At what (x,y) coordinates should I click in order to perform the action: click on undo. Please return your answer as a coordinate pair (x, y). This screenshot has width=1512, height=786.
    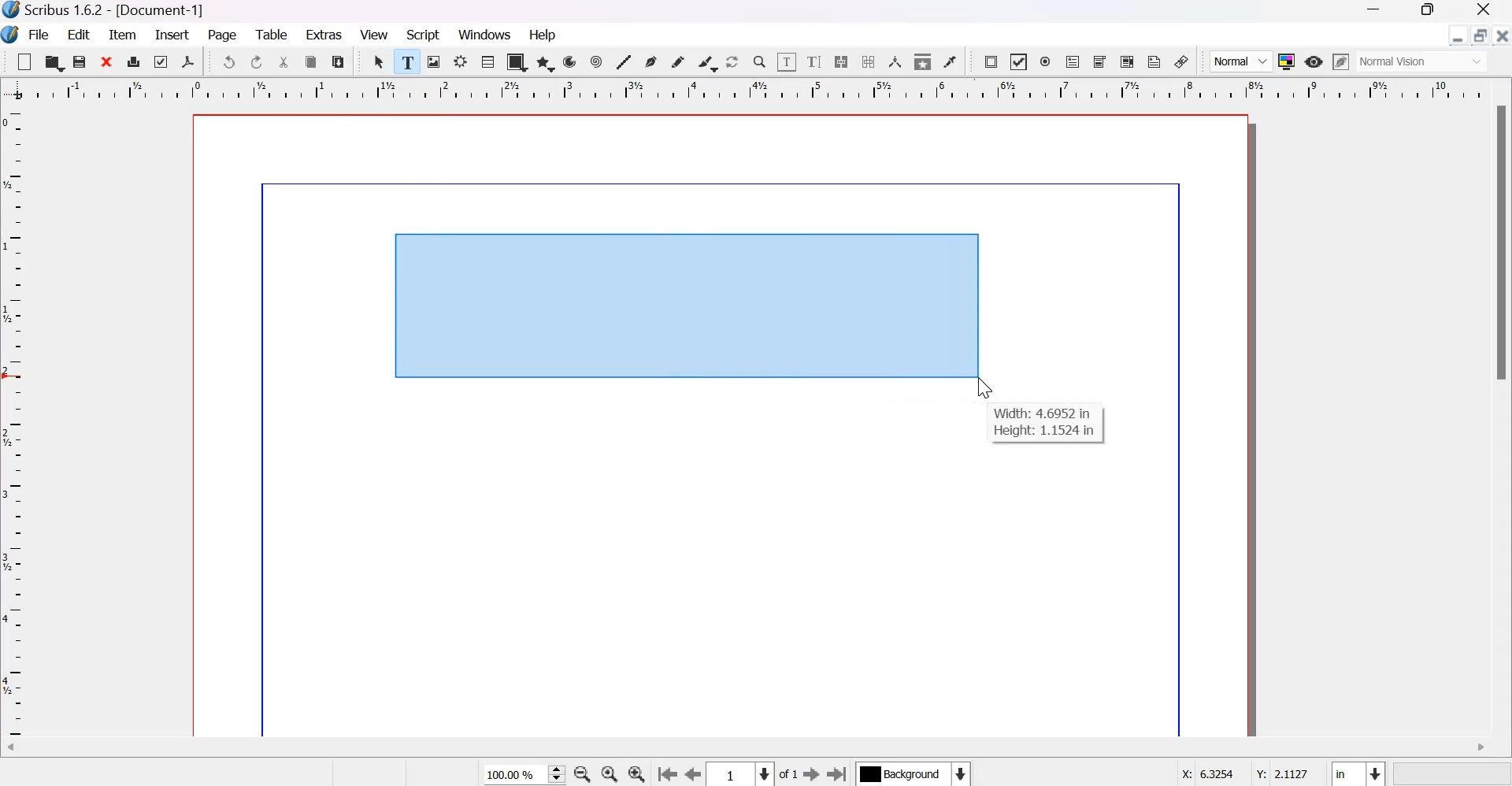
    Looking at the image, I should click on (228, 61).